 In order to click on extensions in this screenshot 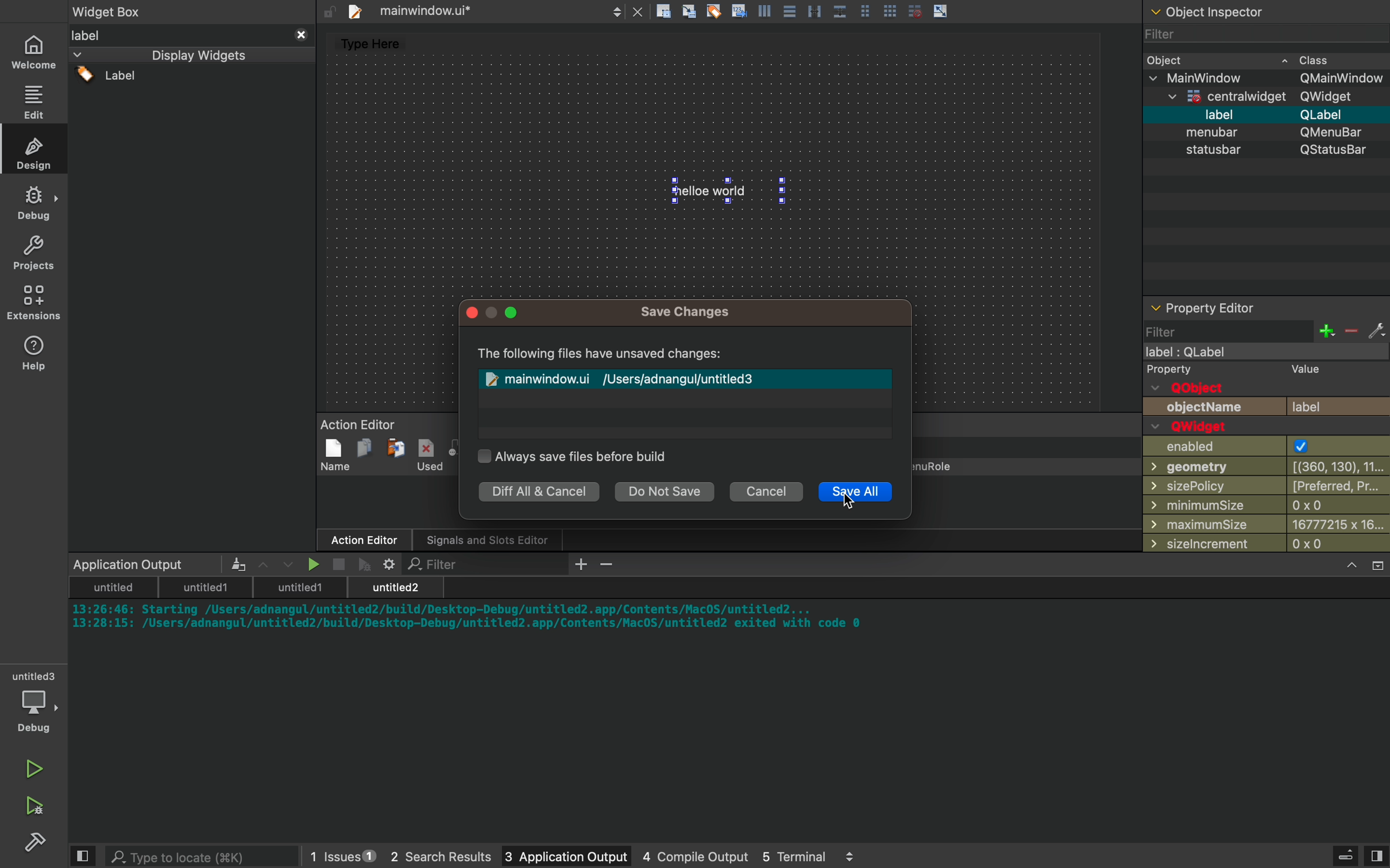, I will do `click(36, 303)`.